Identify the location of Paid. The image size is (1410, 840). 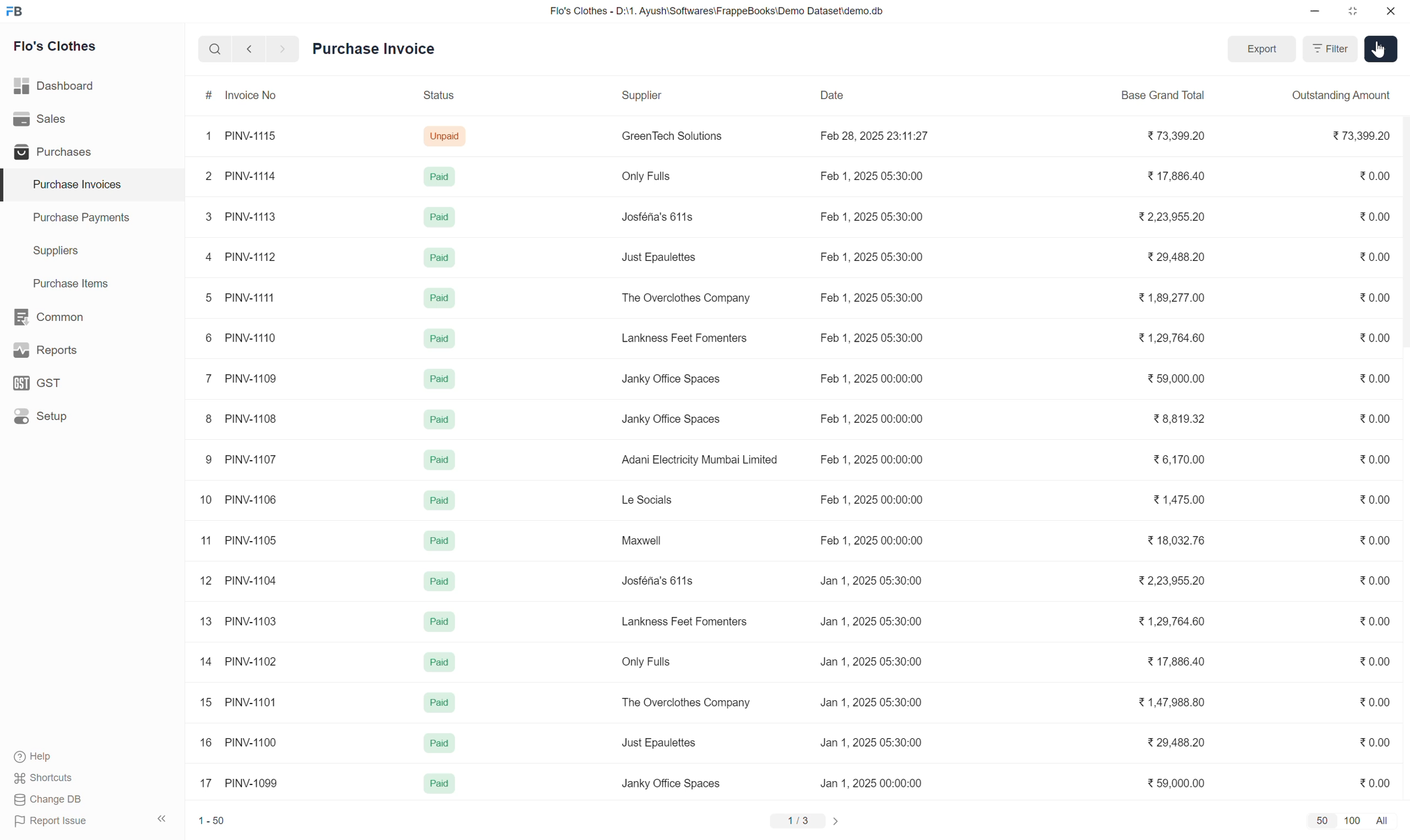
(433, 542).